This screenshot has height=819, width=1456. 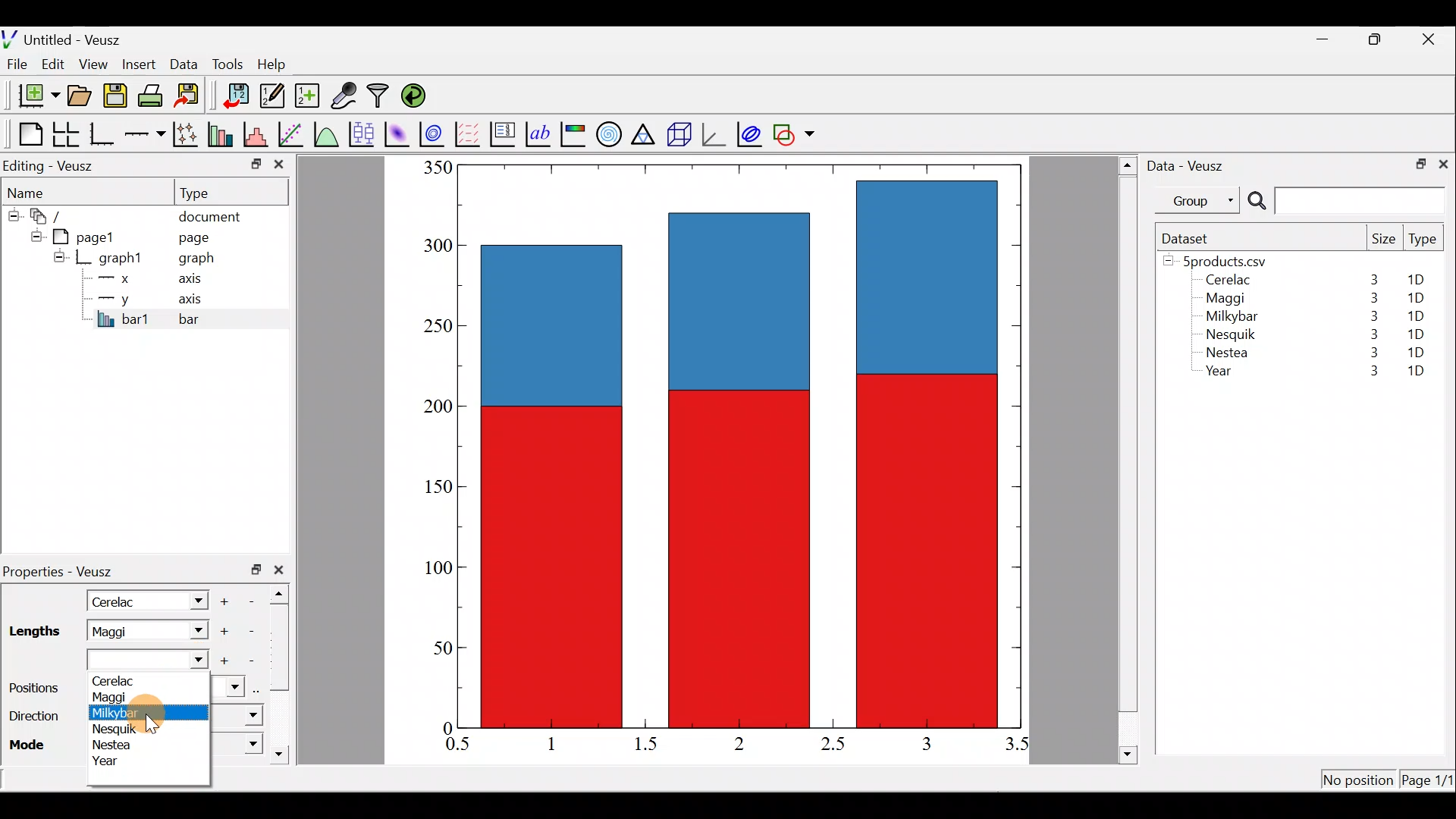 I want to click on Arrange graphs in a grid, so click(x=65, y=134).